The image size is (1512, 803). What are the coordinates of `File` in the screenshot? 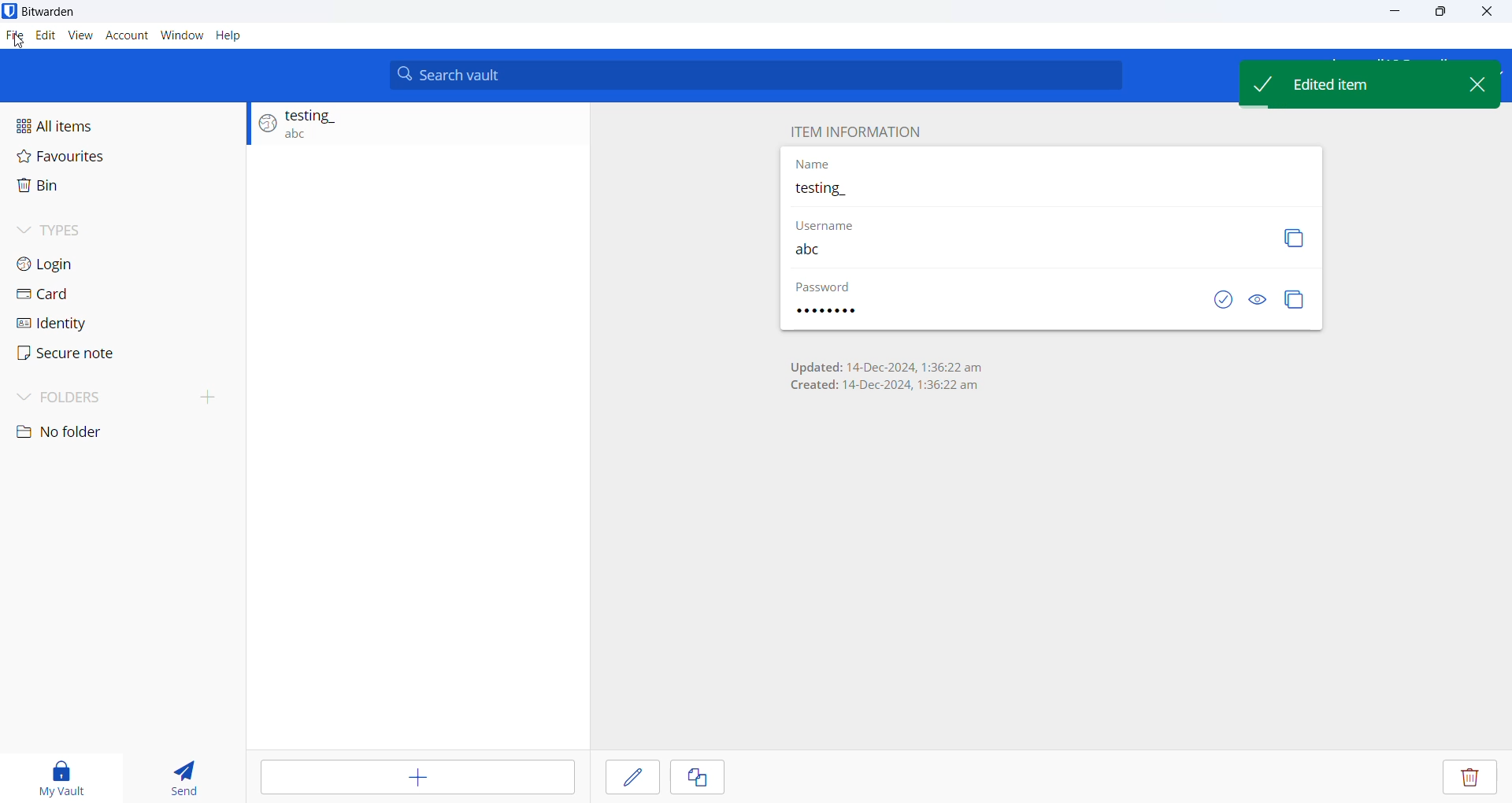 It's located at (15, 37).